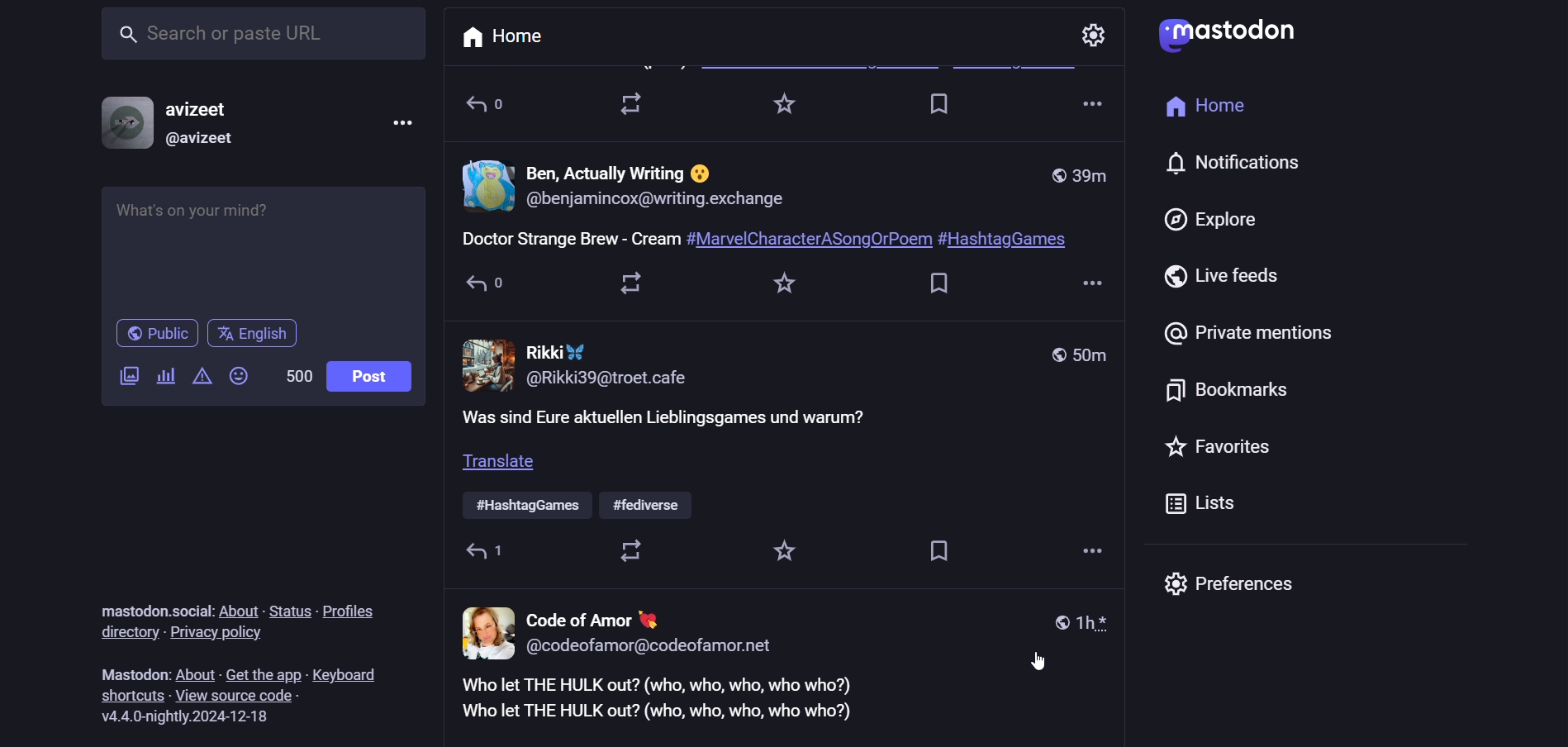  I want to click on favourite, so click(786, 554).